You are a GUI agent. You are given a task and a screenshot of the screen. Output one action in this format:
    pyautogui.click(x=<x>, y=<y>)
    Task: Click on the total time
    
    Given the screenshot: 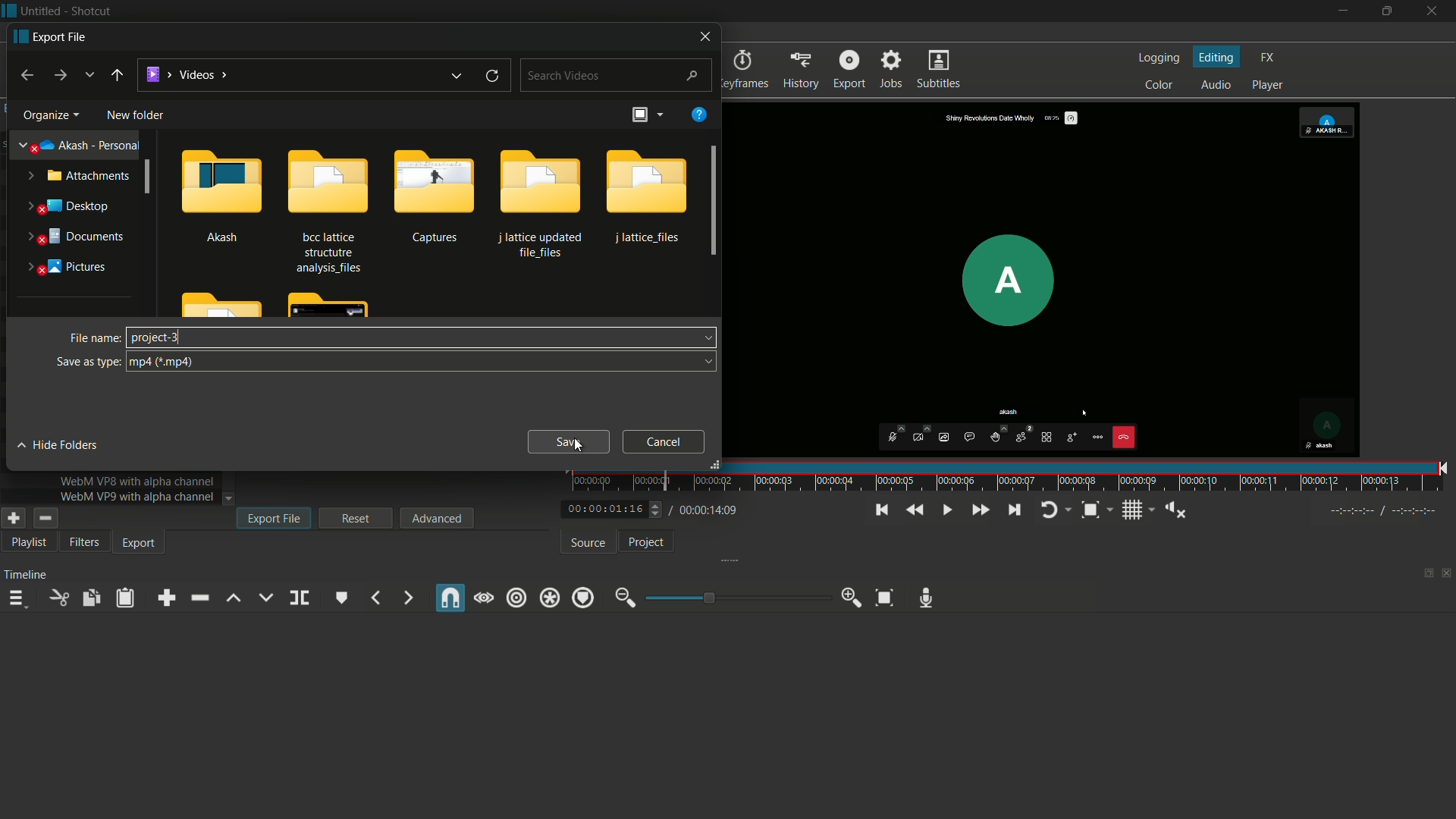 What is the action you would take?
    pyautogui.click(x=711, y=510)
    